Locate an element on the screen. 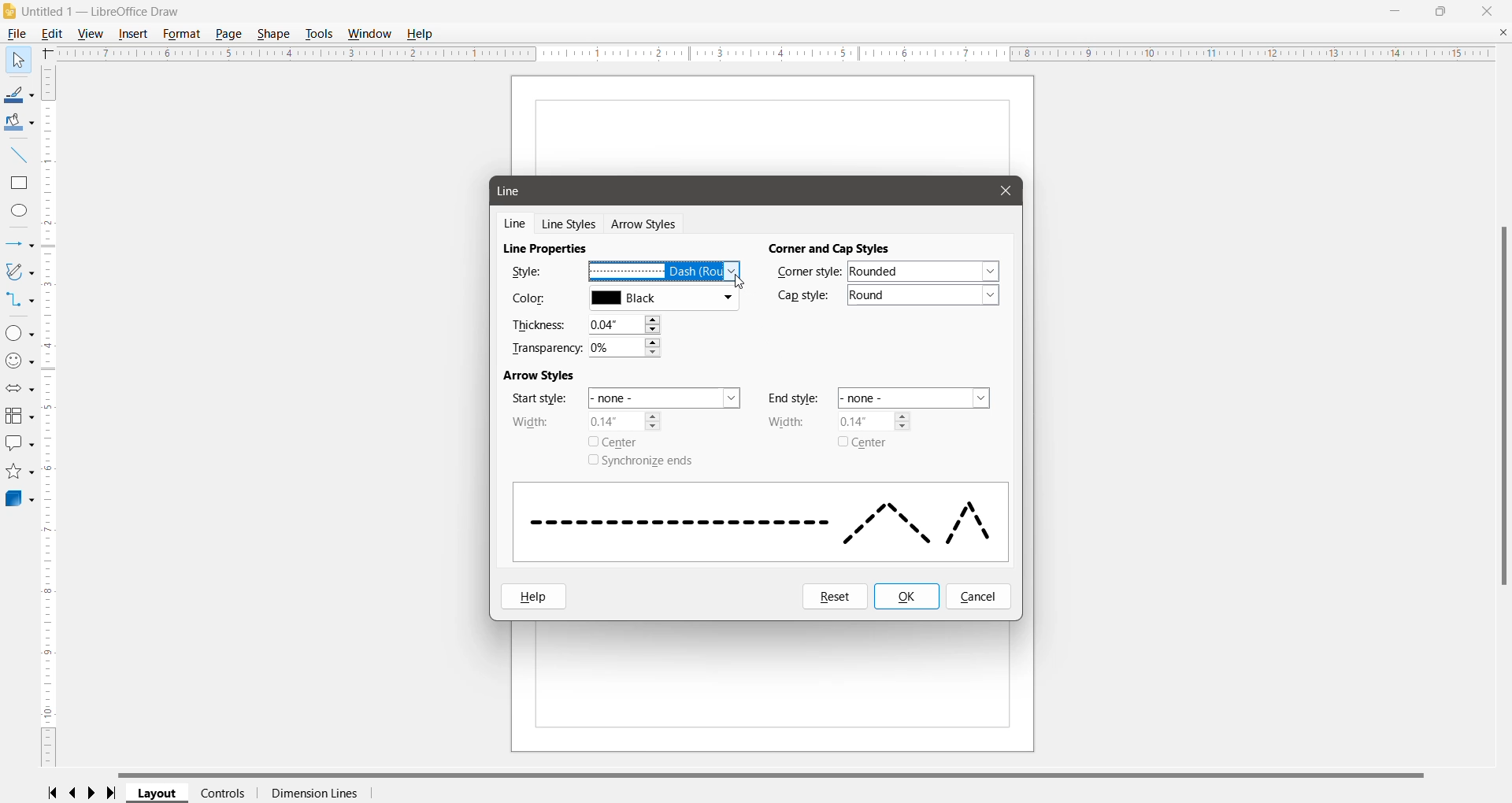 The width and height of the screenshot is (1512, 803). Horizontal Ruler is located at coordinates (774, 54).